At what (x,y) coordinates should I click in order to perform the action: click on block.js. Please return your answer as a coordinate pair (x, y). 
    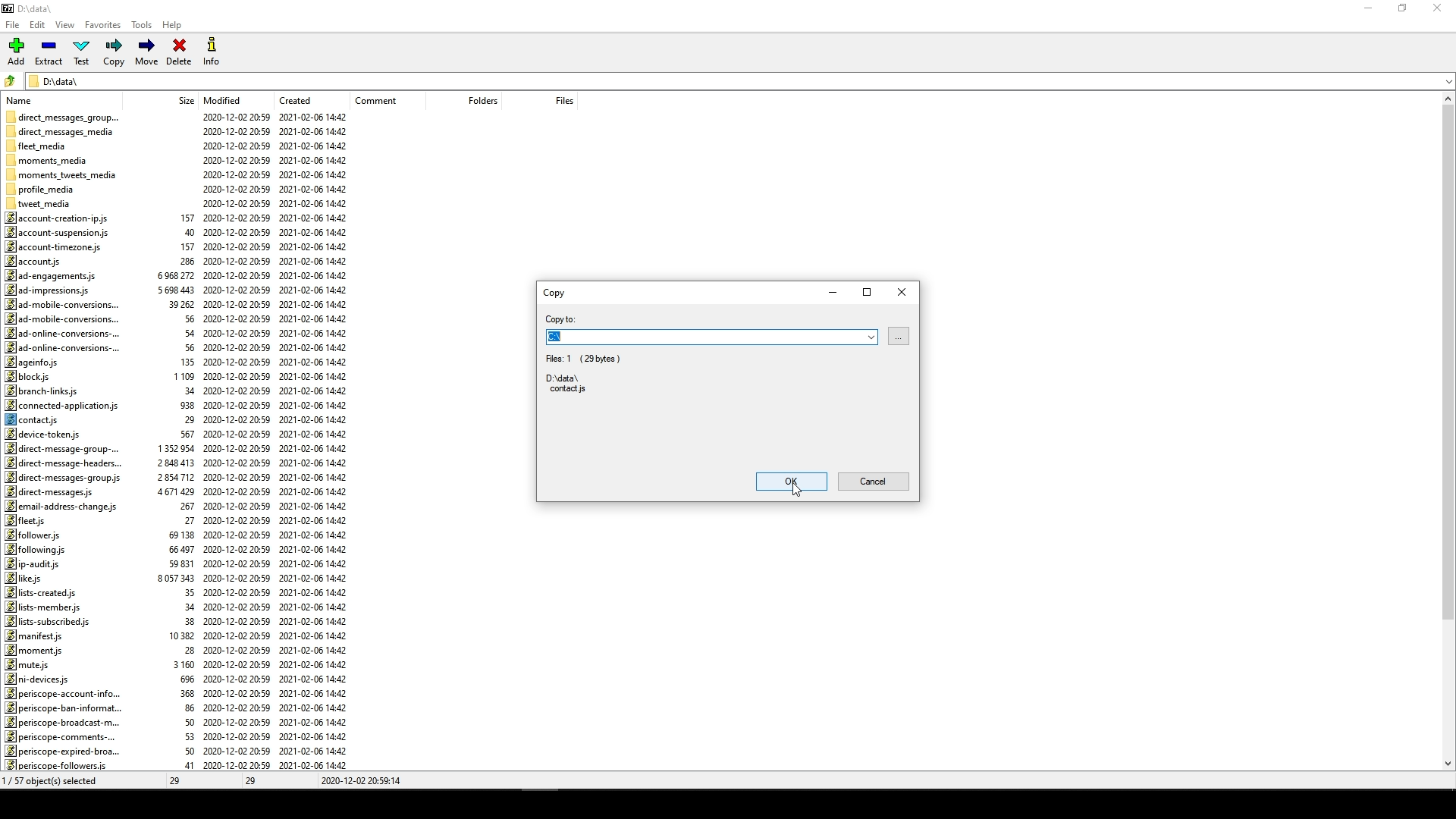
    Looking at the image, I should click on (28, 377).